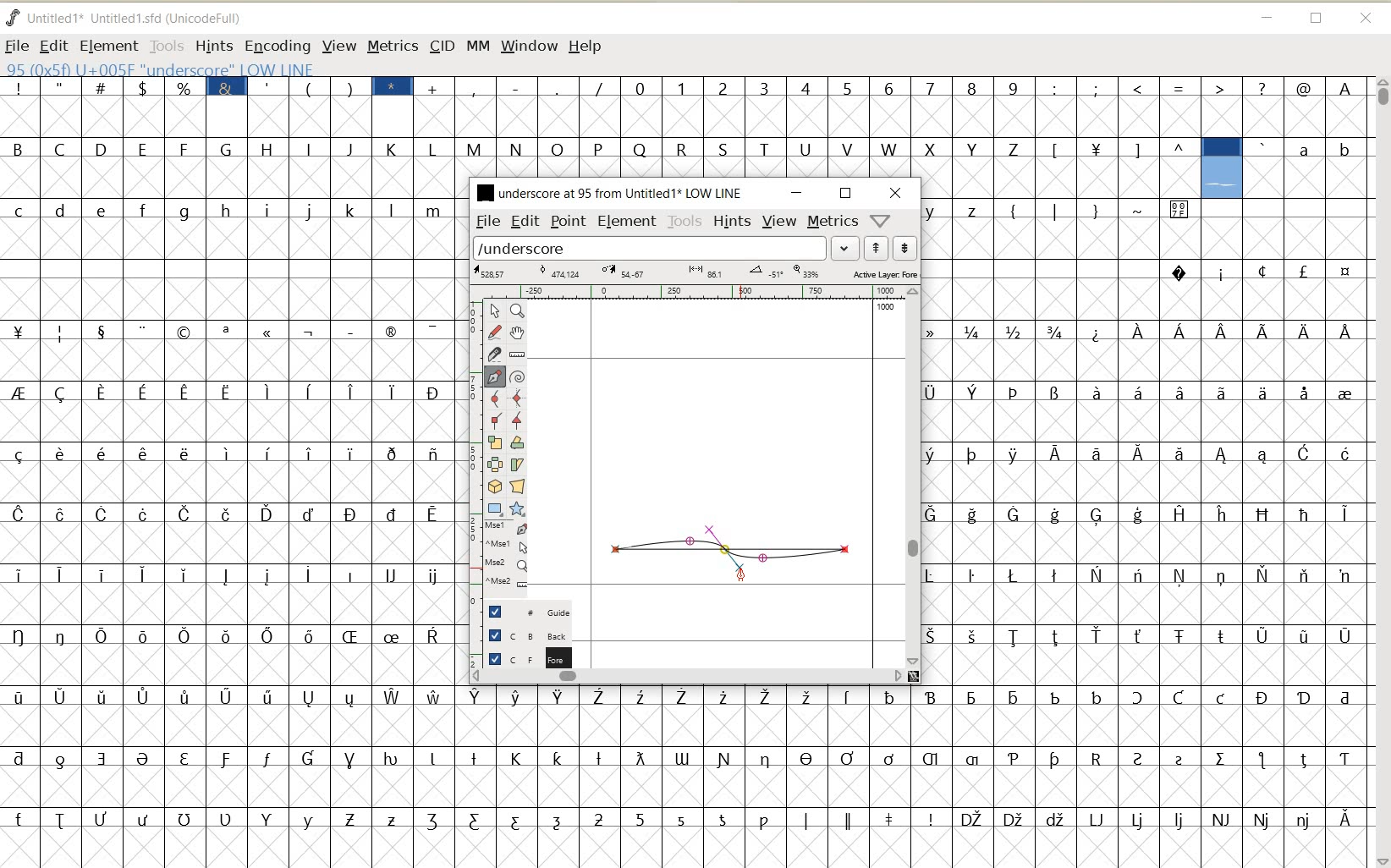  I want to click on METRICS, so click(392, 46).